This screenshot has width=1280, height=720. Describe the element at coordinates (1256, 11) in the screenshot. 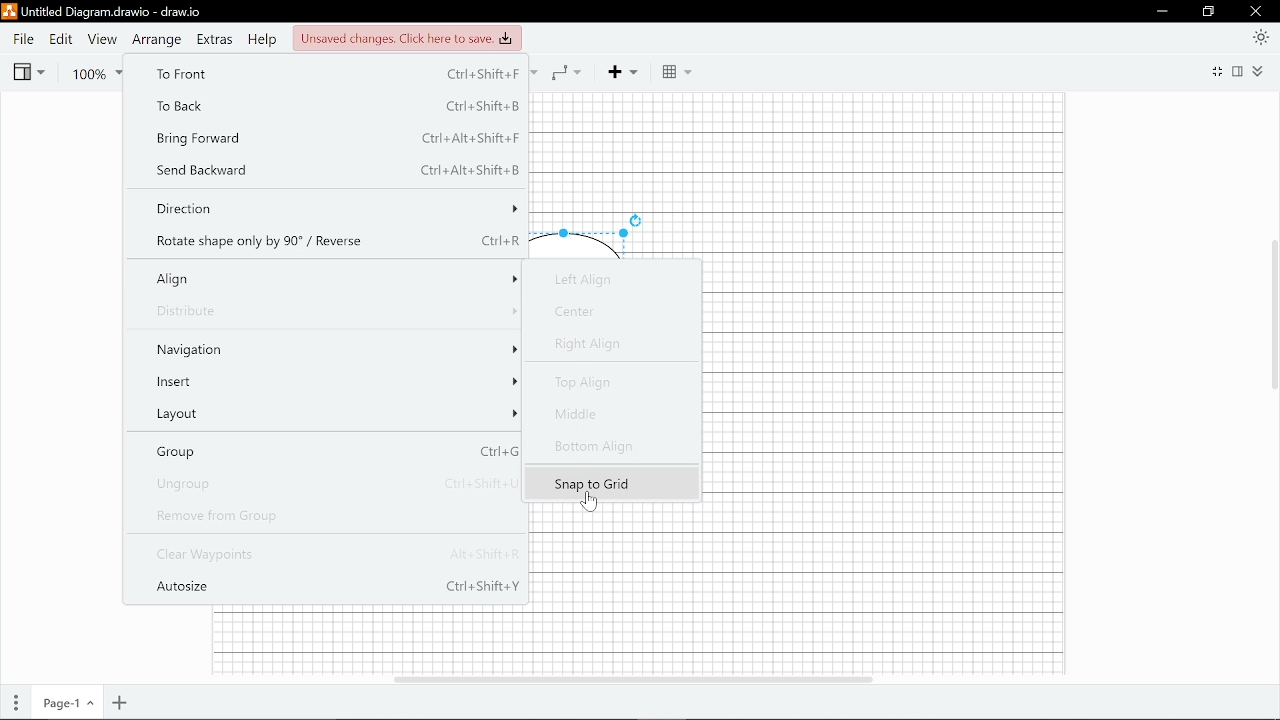

I see `Close` at that location.